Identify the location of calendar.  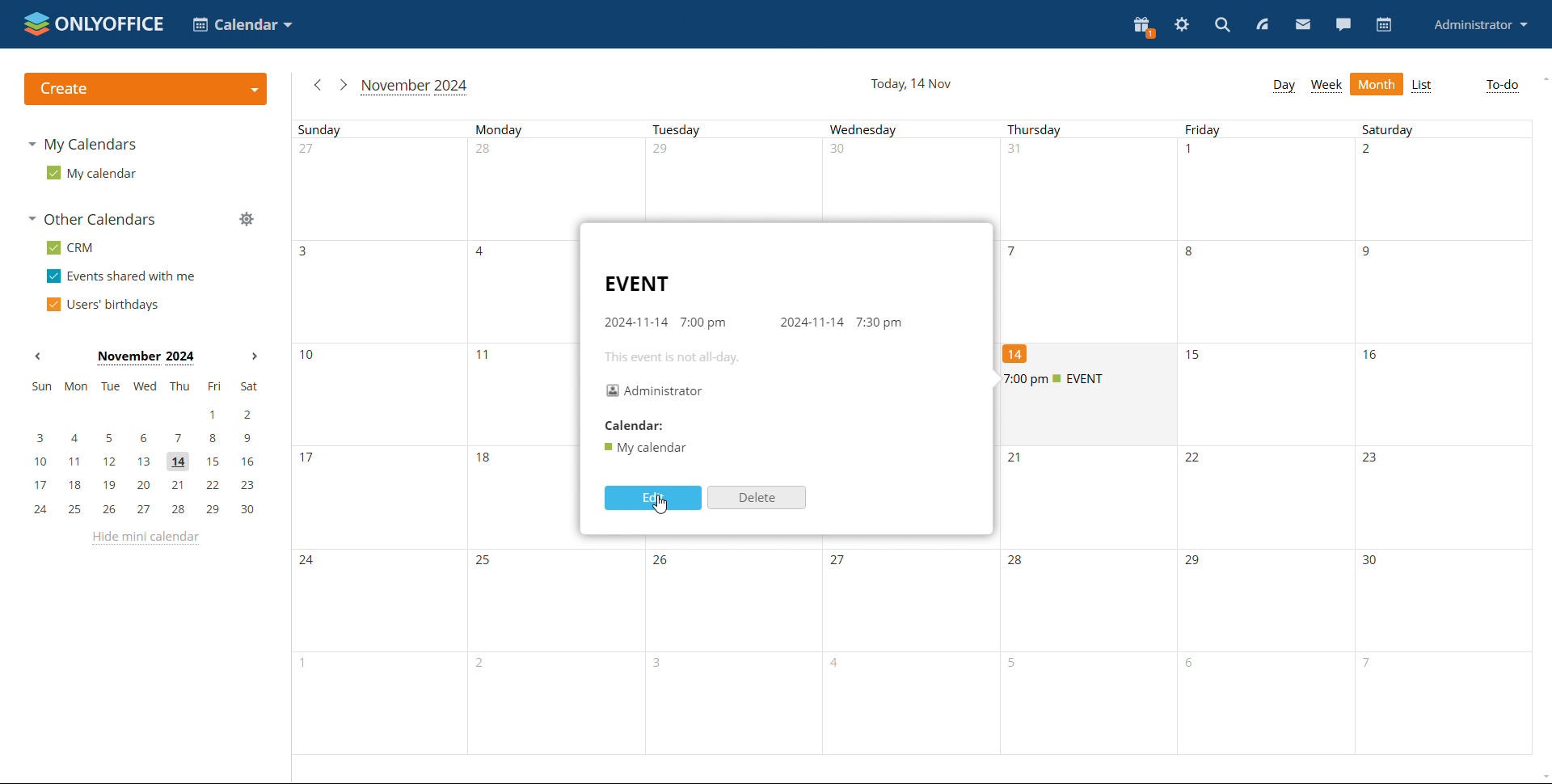
(642, 425).